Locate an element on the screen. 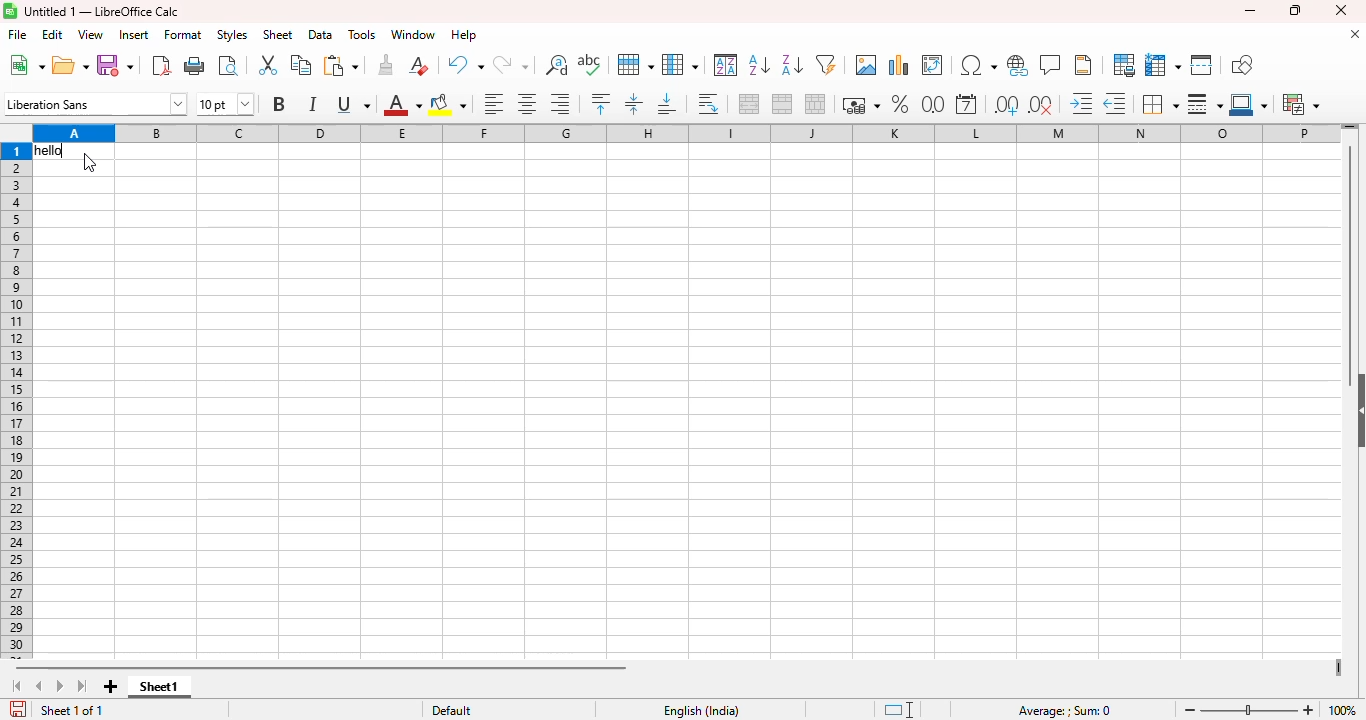 This screenshot has width=1366, height=720. insert hyperlink is located at coordinates (1018, 65).